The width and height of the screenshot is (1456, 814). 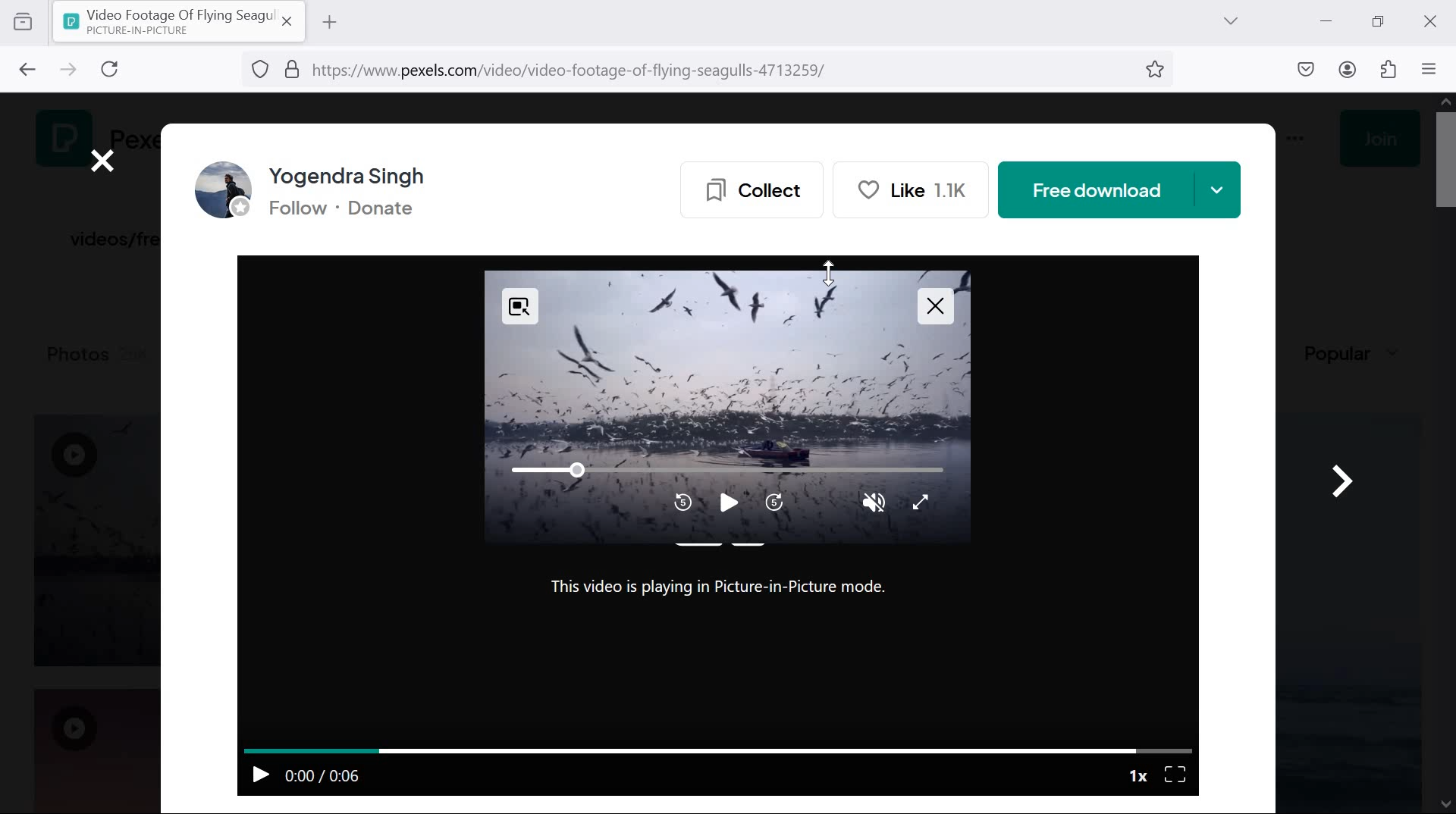 What do you see at coordinates (1178, 773) in the screenshot?
I see `full screen` at bounding box center [1178, 773].